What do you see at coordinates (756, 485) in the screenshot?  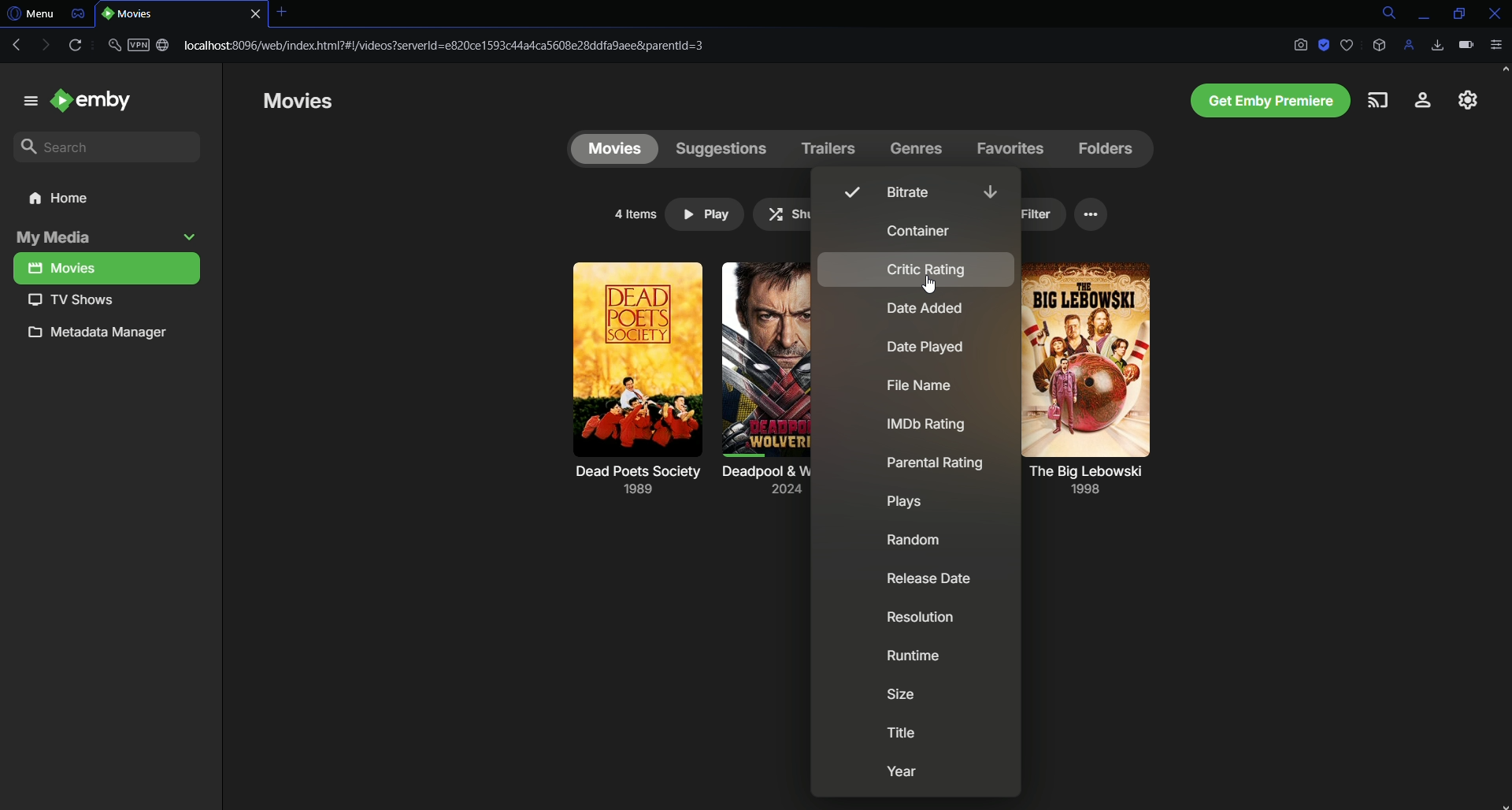 I see `Deadpool and Wolverine` at bounding box center [756, 485].